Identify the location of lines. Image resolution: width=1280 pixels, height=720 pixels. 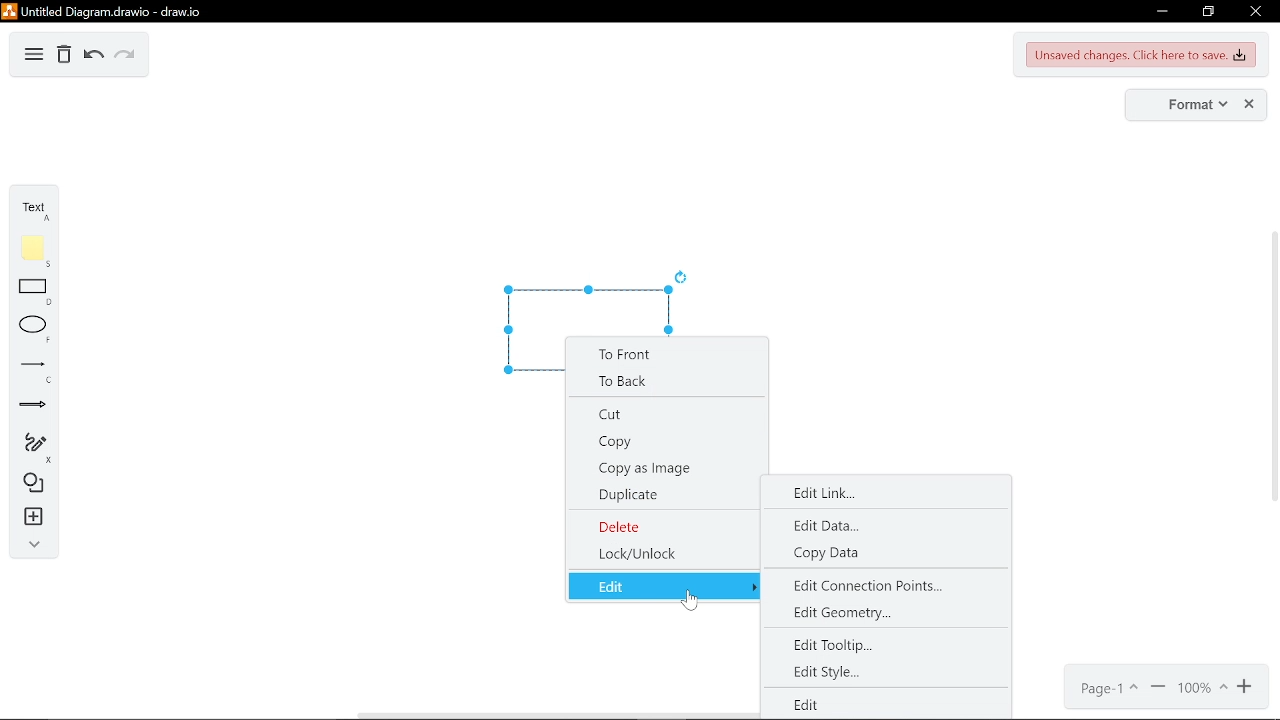
(36, 372).